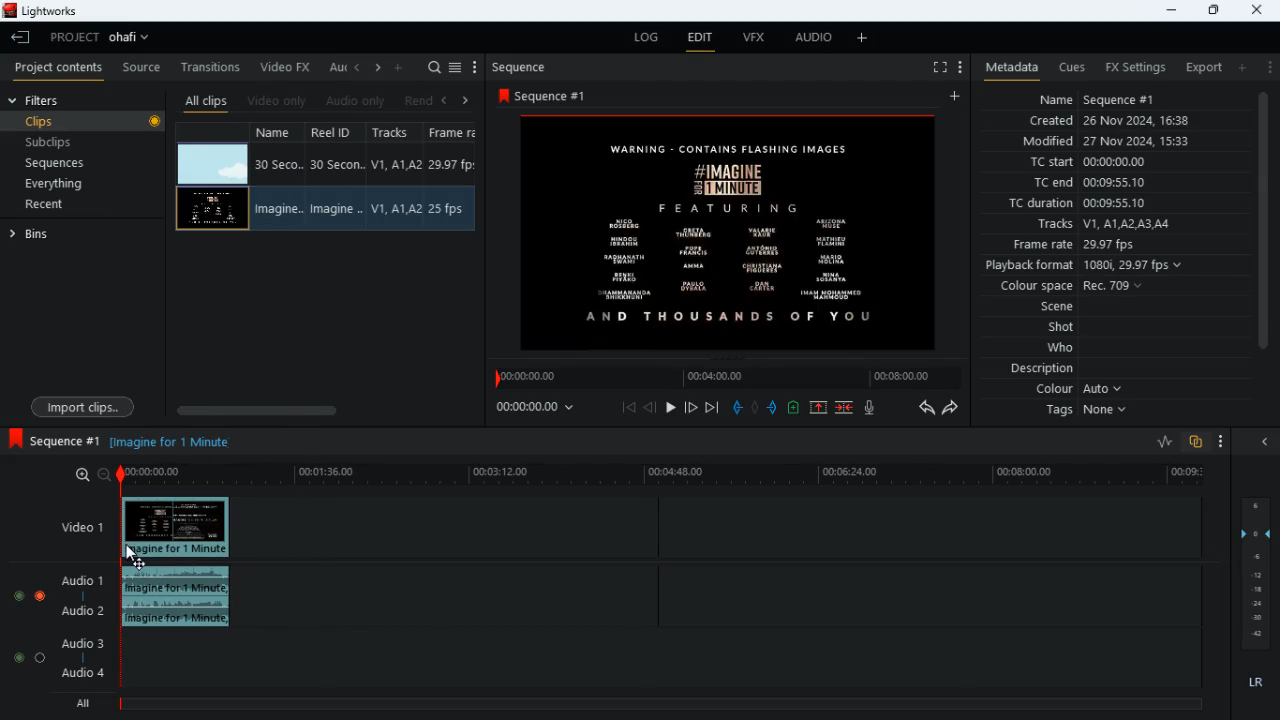 The width and height of the screenshot is (1280, 720). What do you see at coordinates (85, 123) in the screenshot?
I see `clips` at bounding box center [85, 123].